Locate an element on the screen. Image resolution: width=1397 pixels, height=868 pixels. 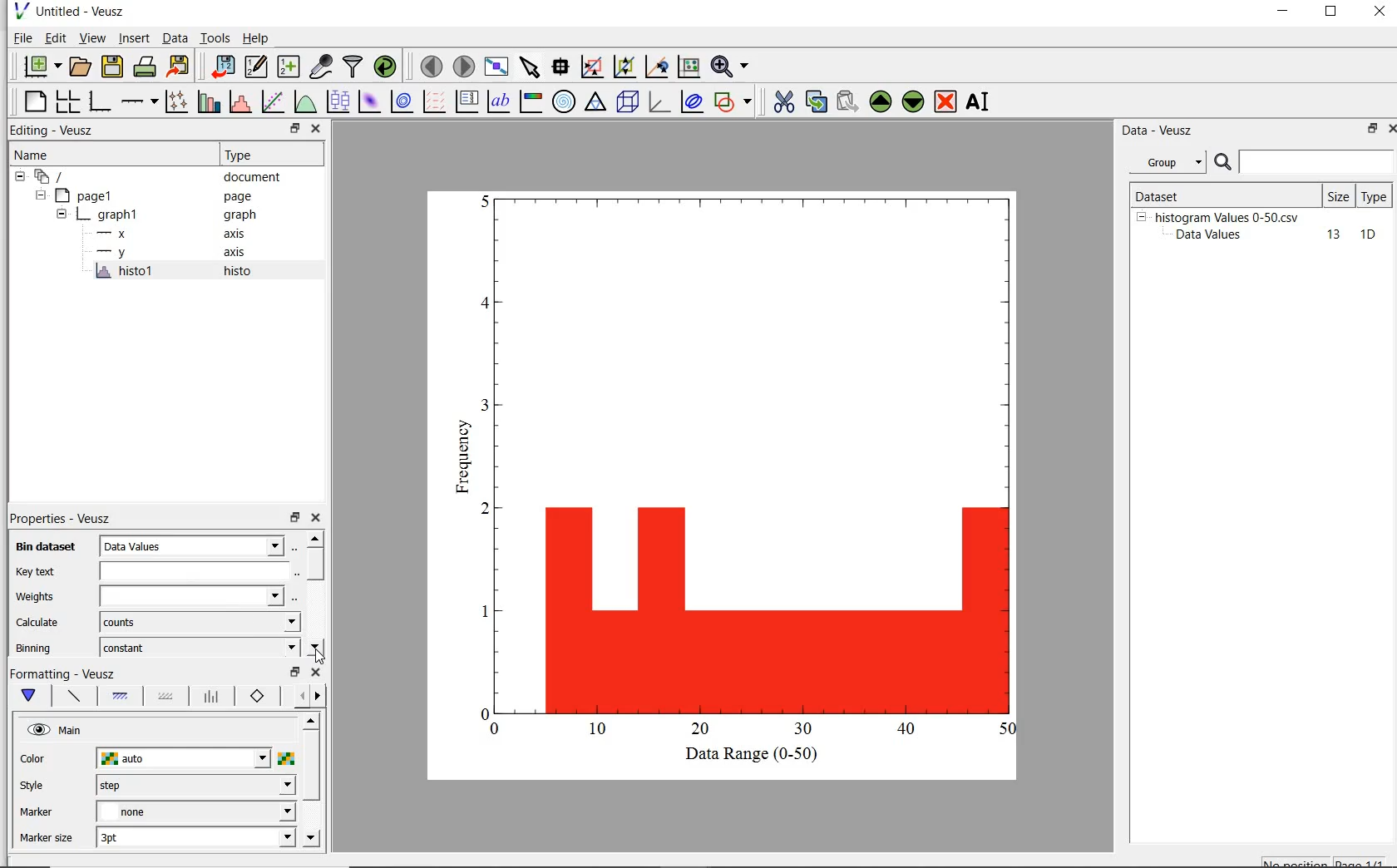
move up is located at coordinates (314, 538).